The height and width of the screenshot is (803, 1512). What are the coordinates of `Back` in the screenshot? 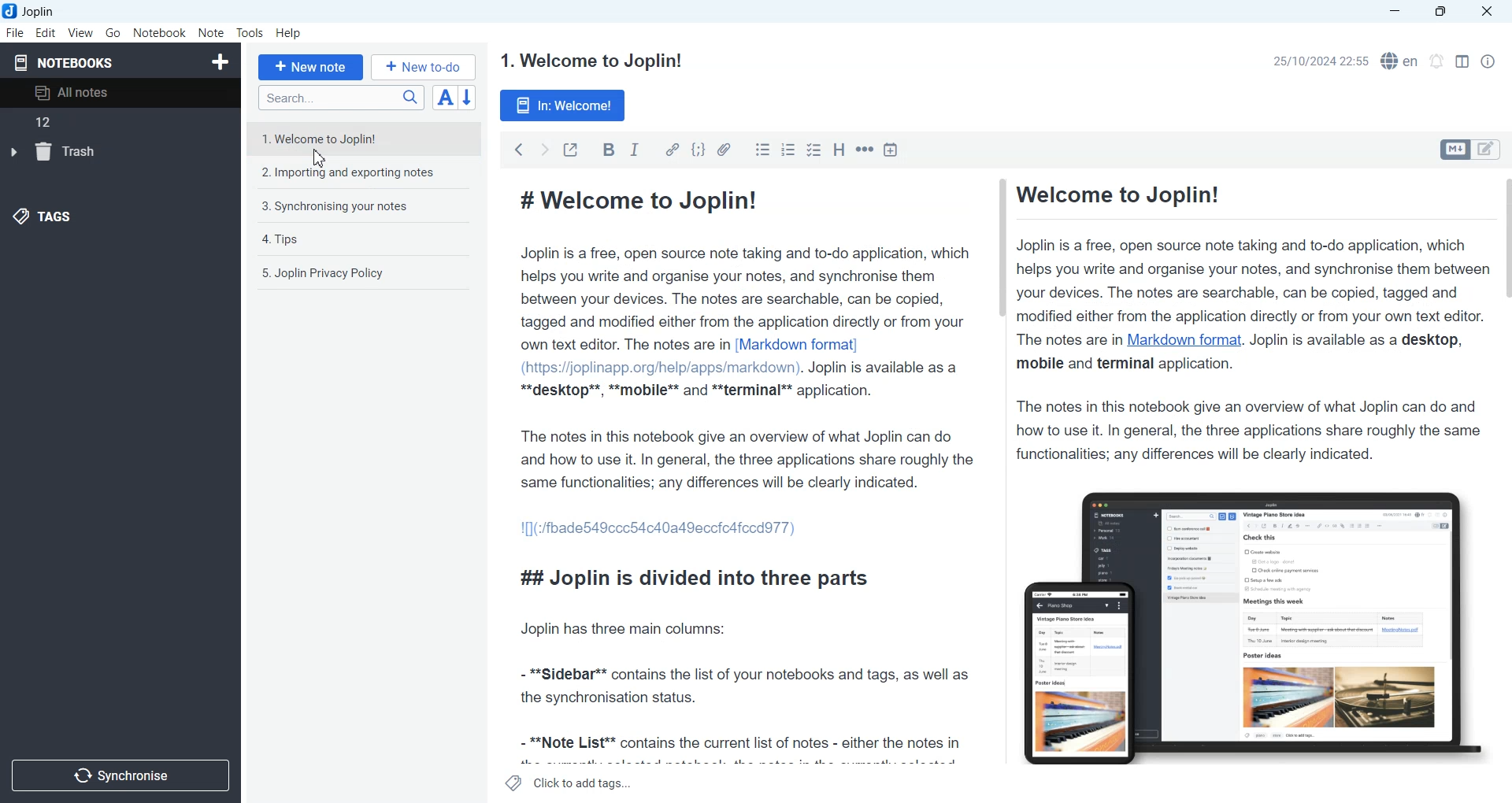 It's located at (518, 150).